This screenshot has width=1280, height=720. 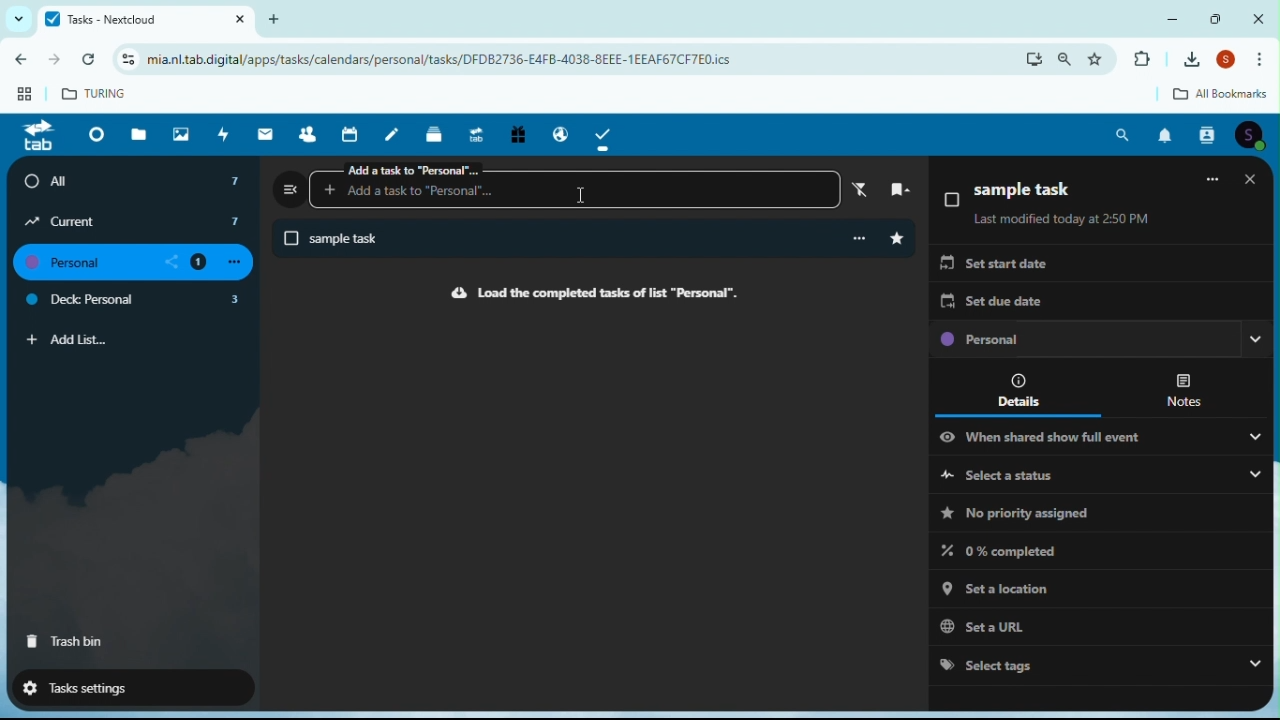 What do you see at coordinates (1014, 513) in the screenshot?
I see `No priority assignment` at bounding box center [1014, 513].